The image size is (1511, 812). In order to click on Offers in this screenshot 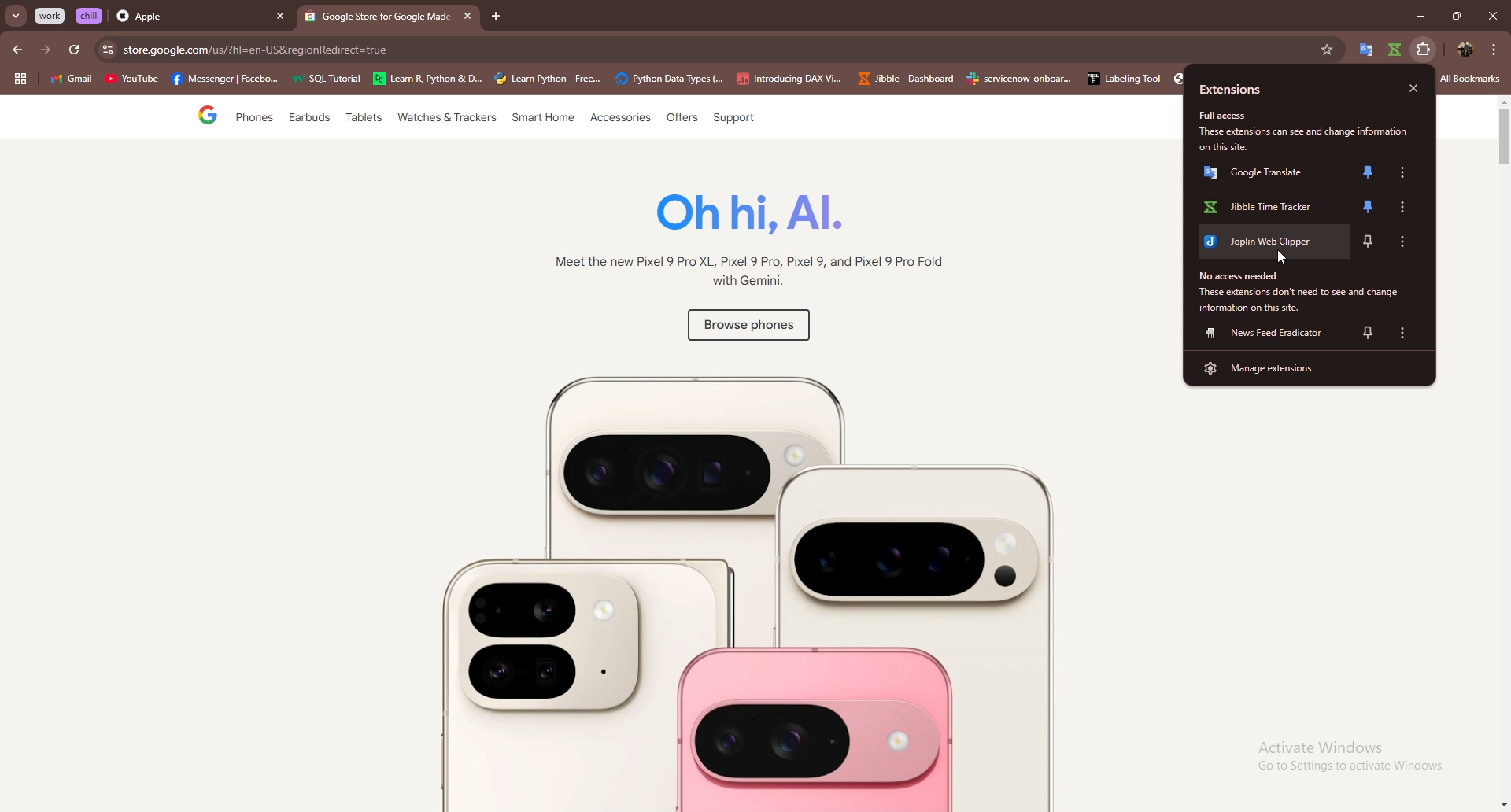, I will do `click(681, 118)`.